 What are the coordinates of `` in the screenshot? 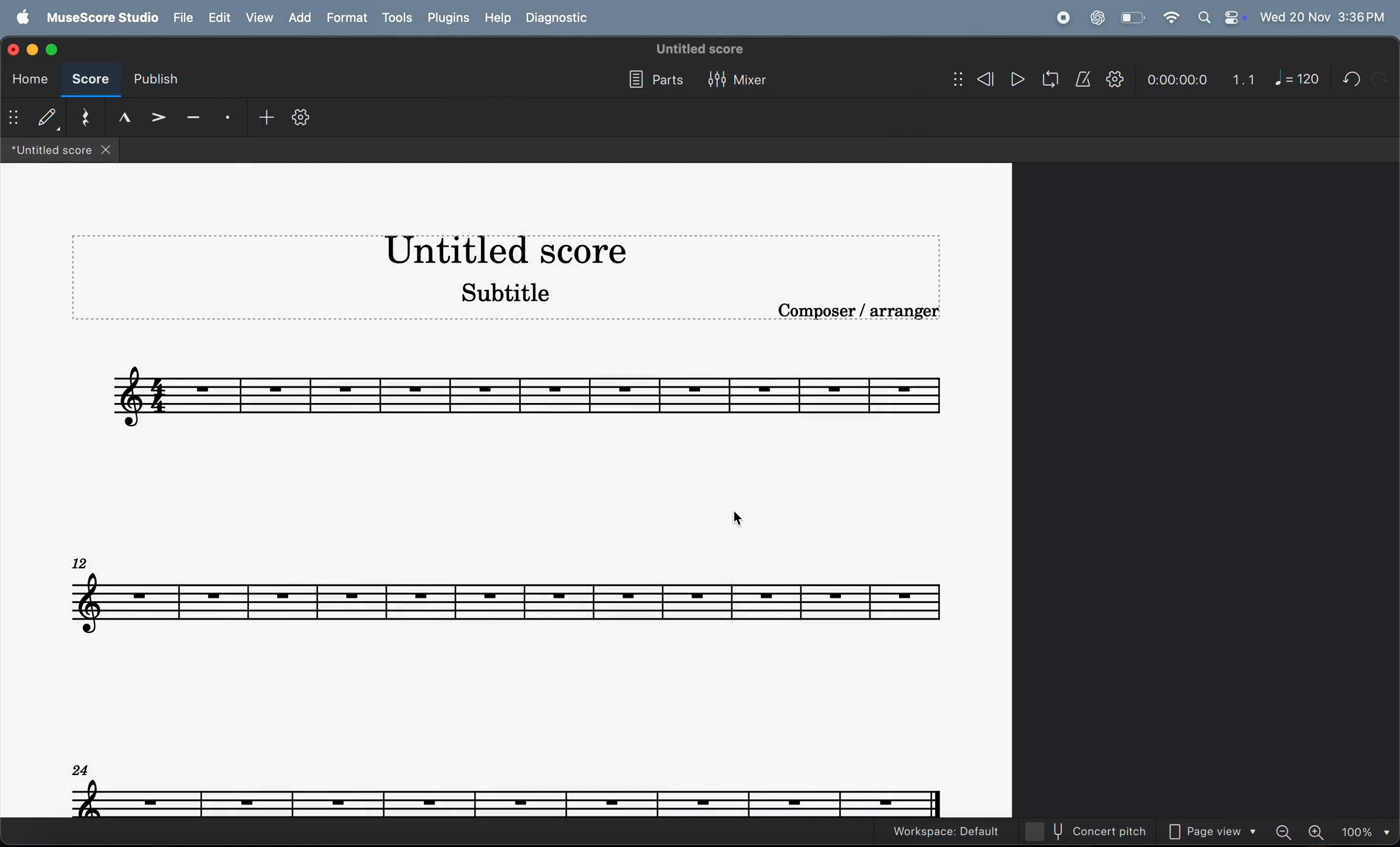 It's located at (1013, 80).